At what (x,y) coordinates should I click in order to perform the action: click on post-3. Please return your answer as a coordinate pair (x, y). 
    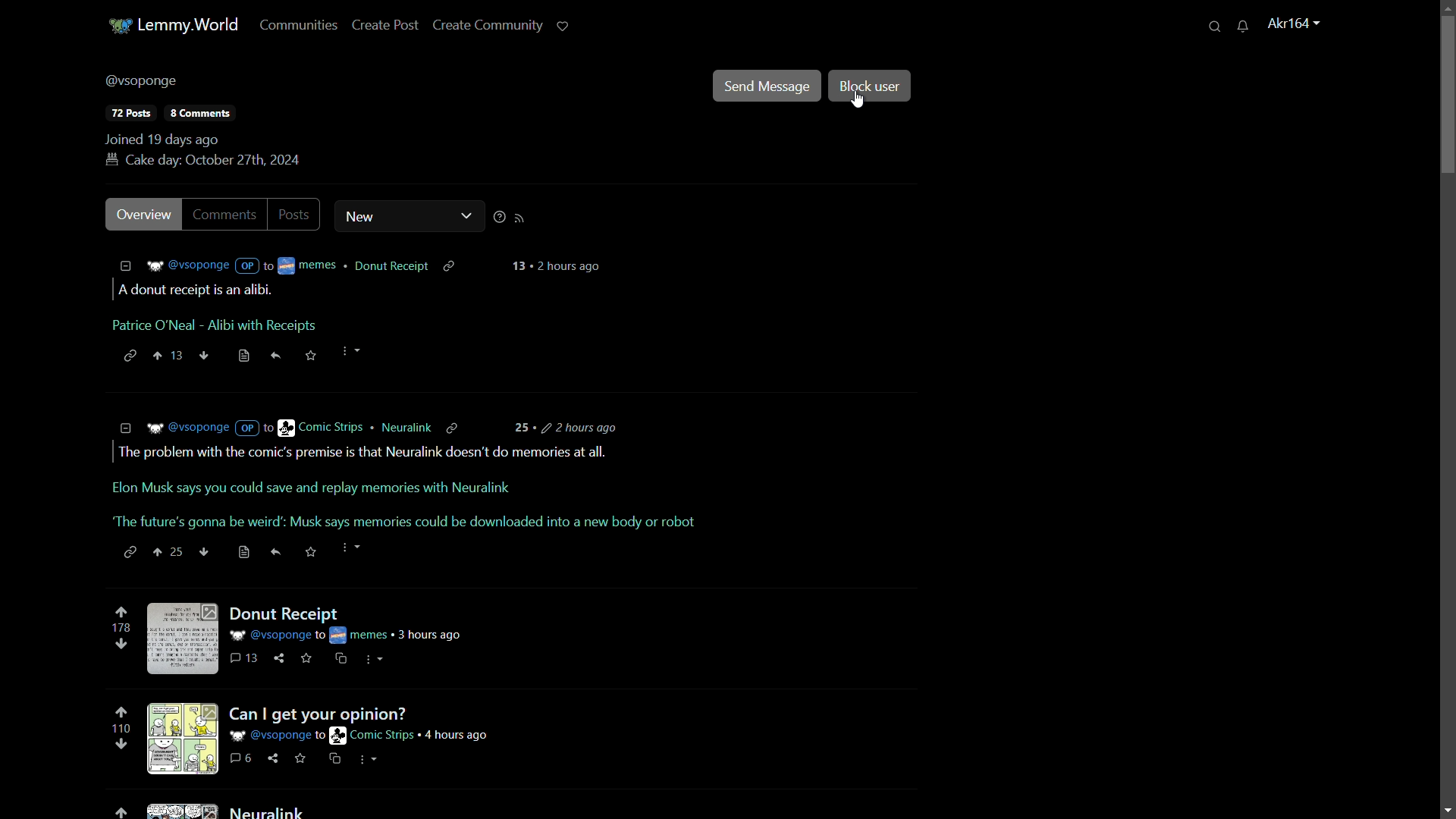
    Looking at the image, I should click on (268, 810).